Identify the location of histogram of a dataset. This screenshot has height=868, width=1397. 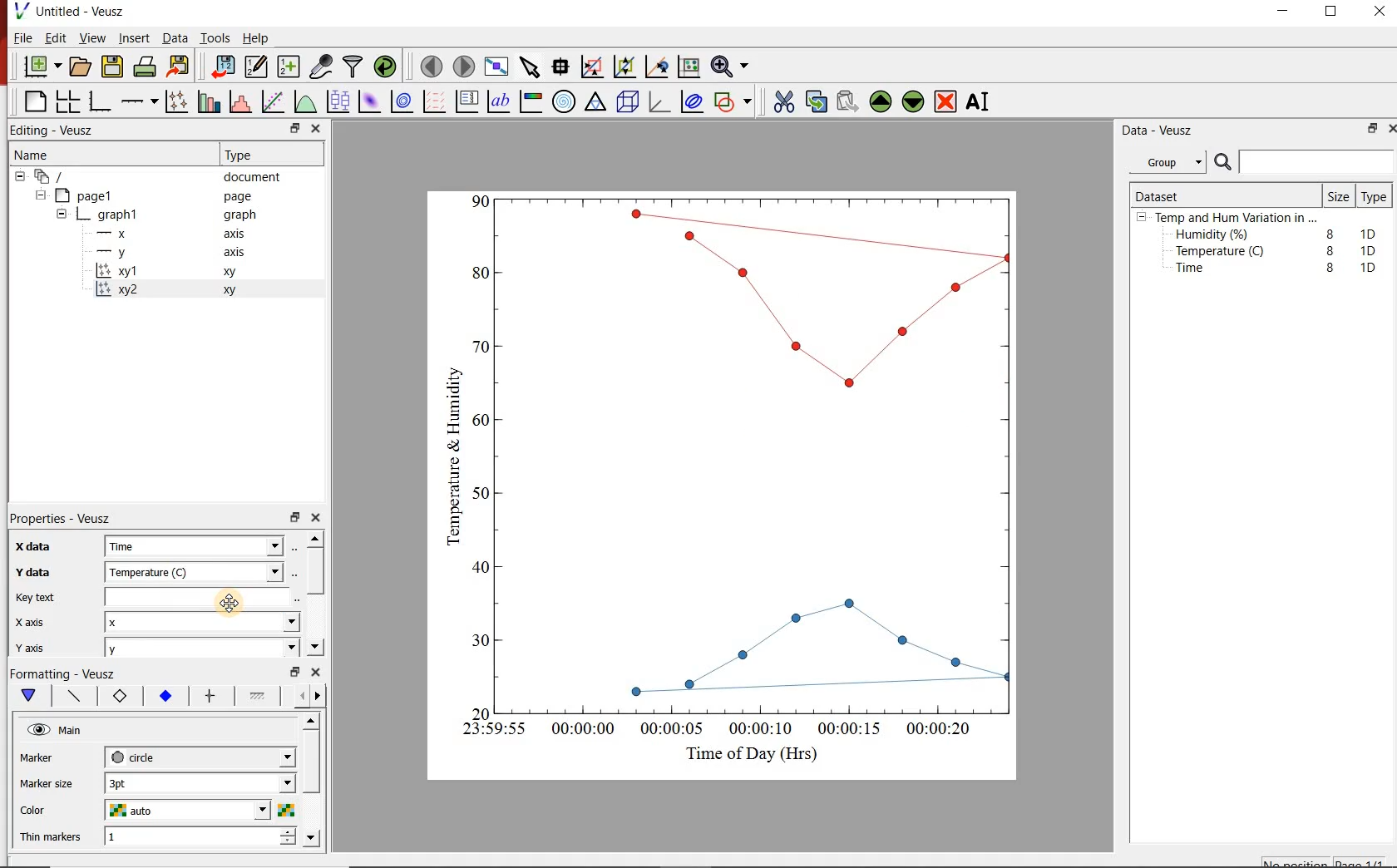
(243, 101).